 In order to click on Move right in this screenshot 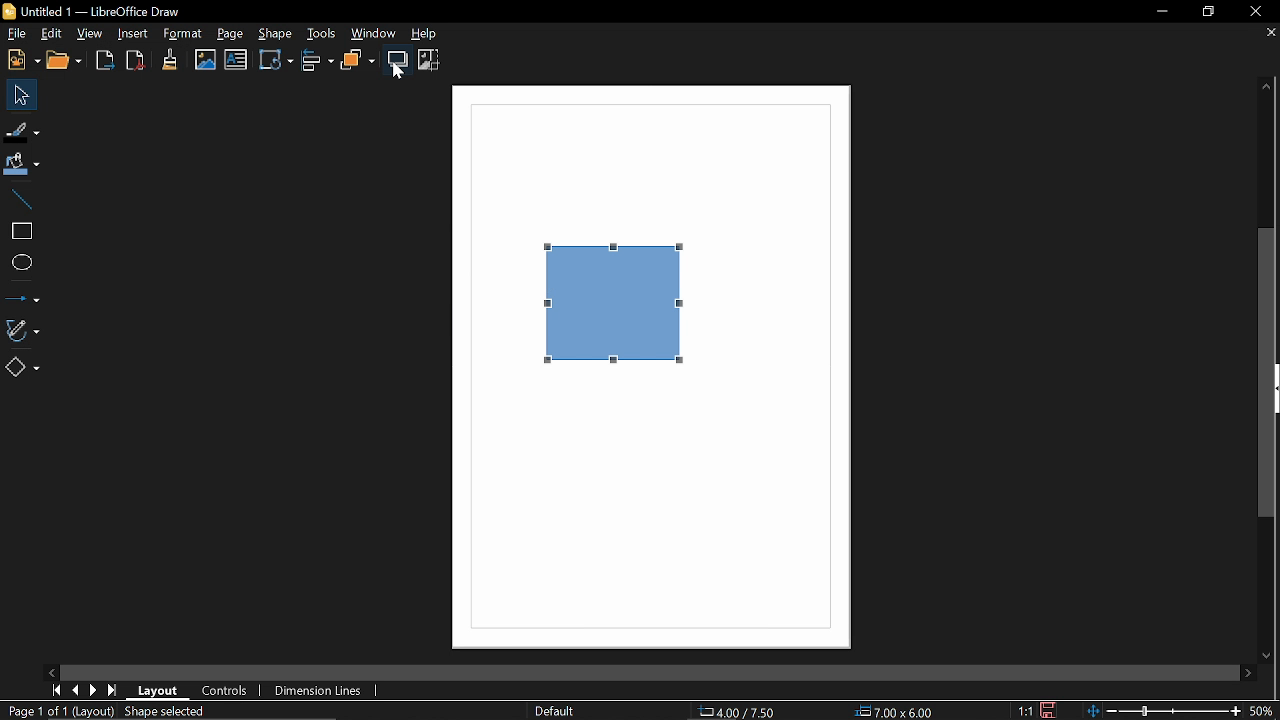, I will do `click(1246, 673)`.